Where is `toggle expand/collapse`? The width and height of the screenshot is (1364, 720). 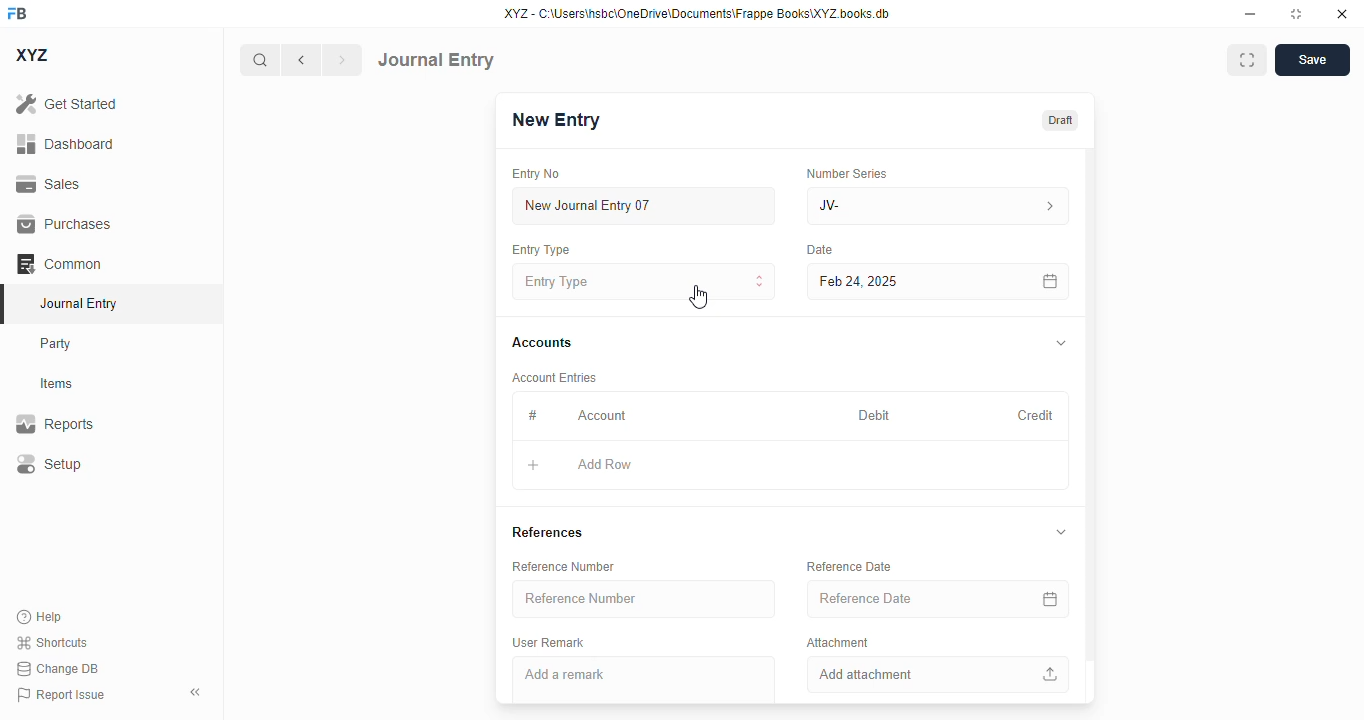
toggle expand/collapse is located at coordinates (1062, 342).